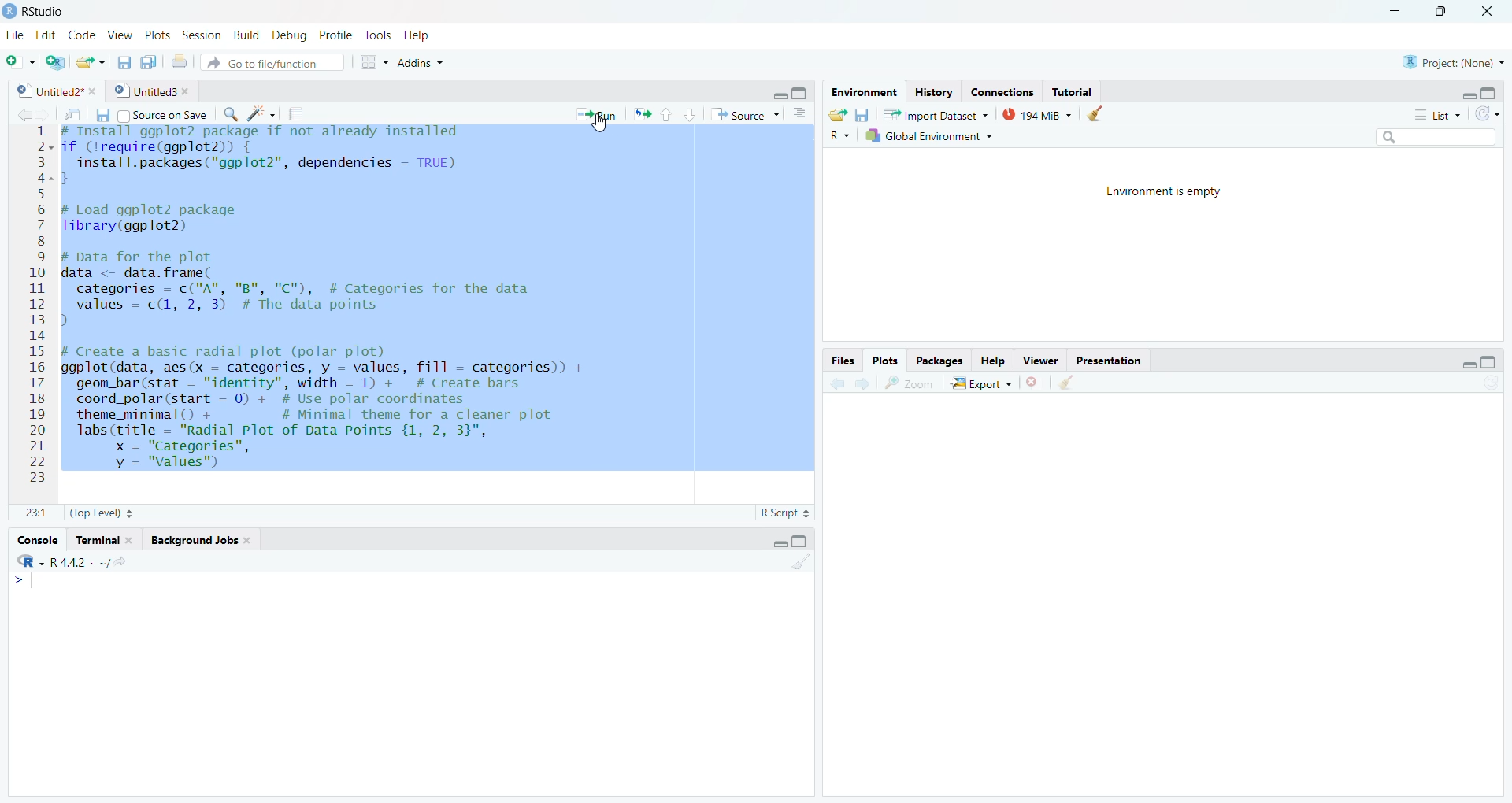 The image size is (1512, 803). Describe the element at coordinates (1491, 359) in the screenshot. I see `Maximize` at that location.